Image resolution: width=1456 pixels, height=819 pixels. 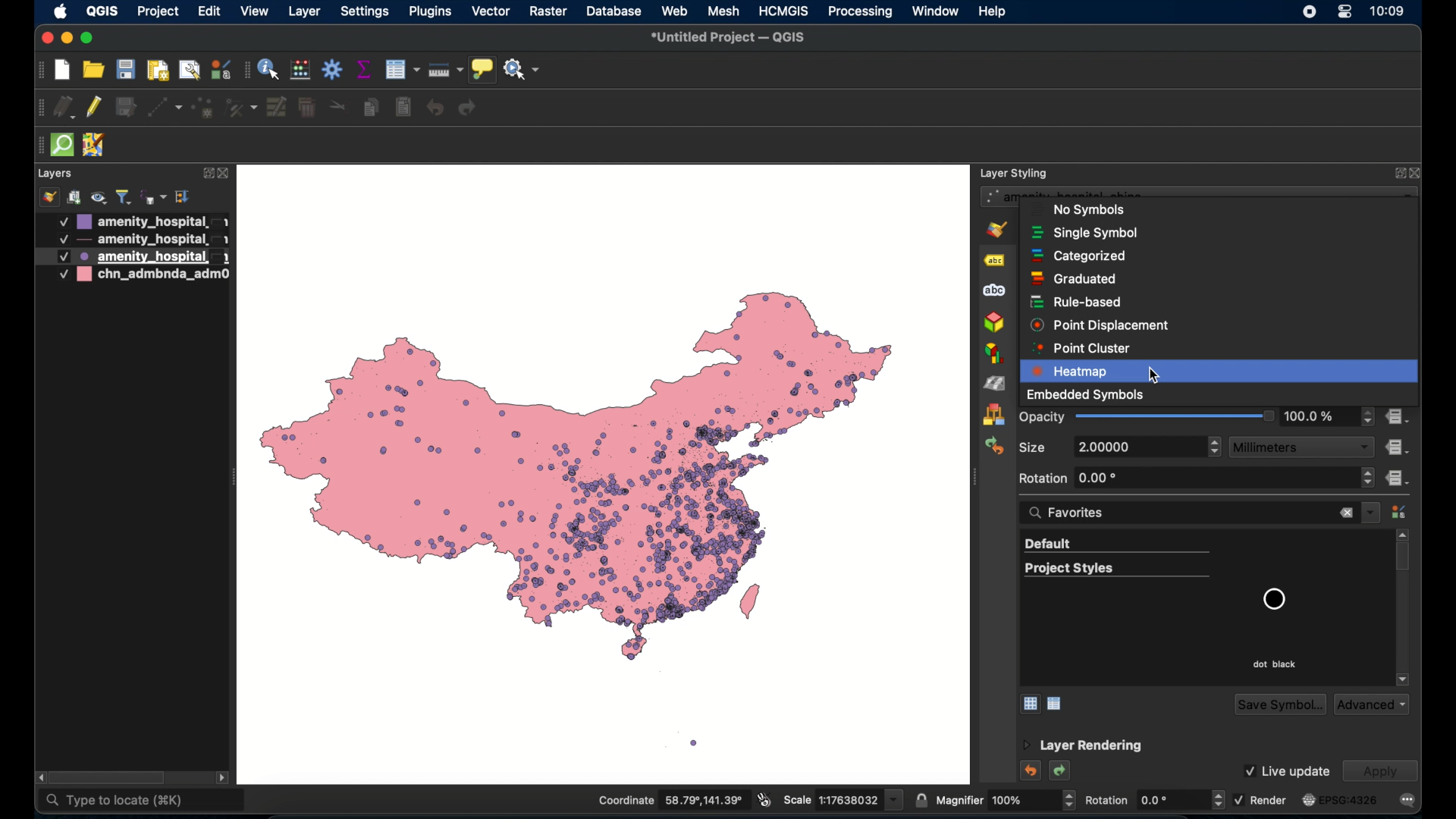 What do you see at coordinates (1307, 13) in the screenshot?
I see `screen recorder` at bounding box center [1307, 13].